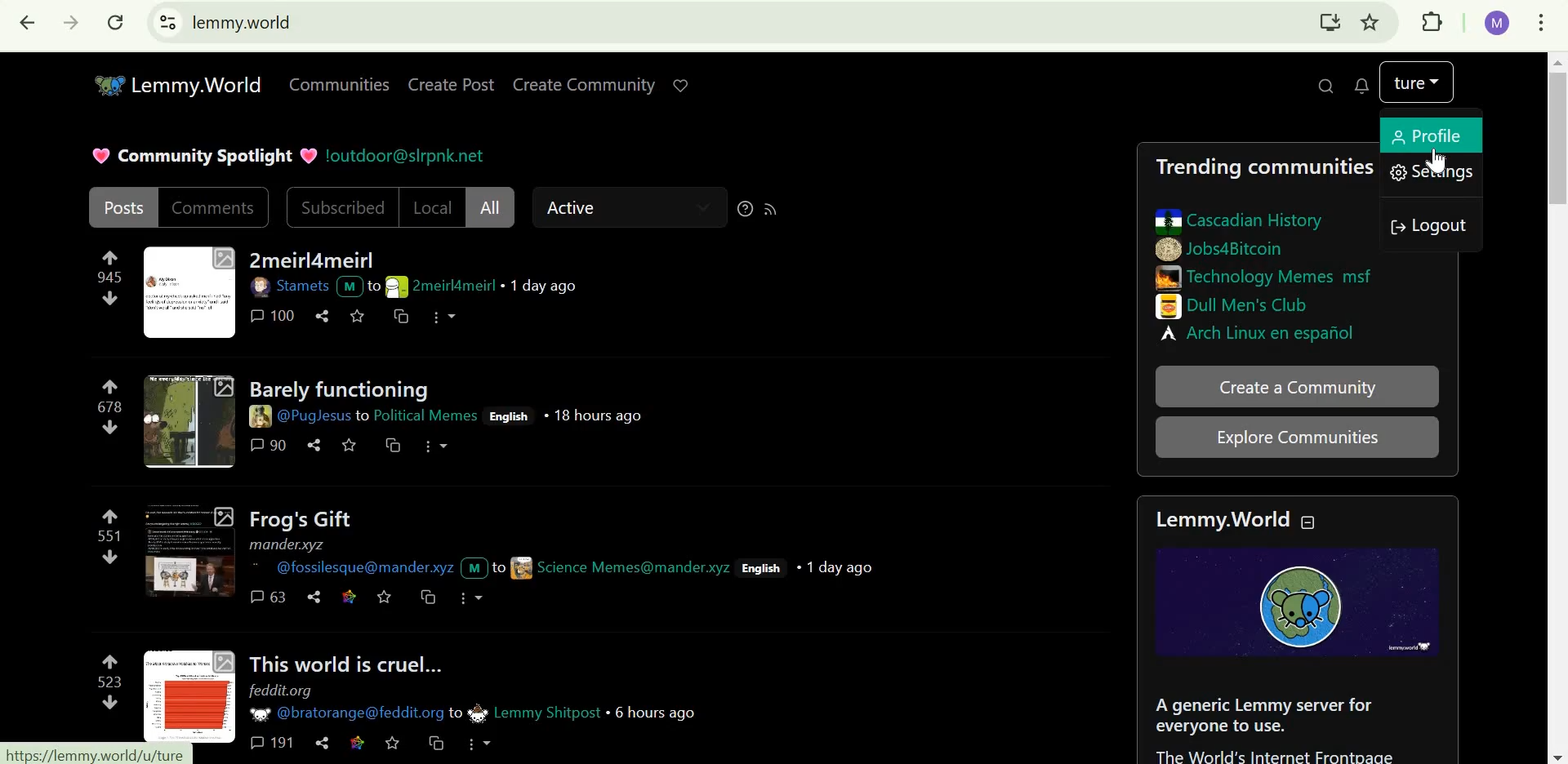 The image size is (1568, 764). I want to click on Dull Men's club, so click(1238, 305).